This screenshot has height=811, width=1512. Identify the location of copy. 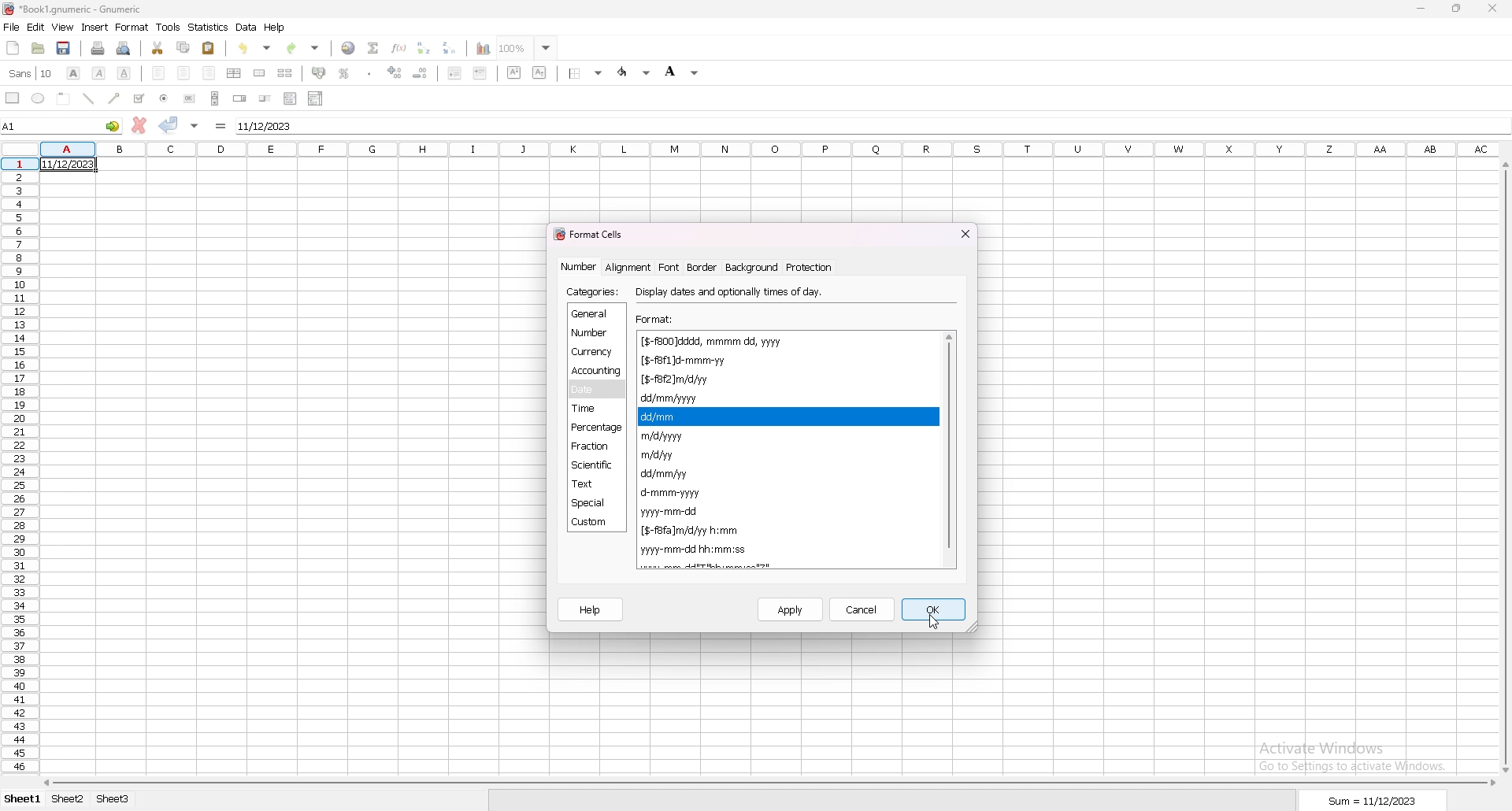
(185, 46).